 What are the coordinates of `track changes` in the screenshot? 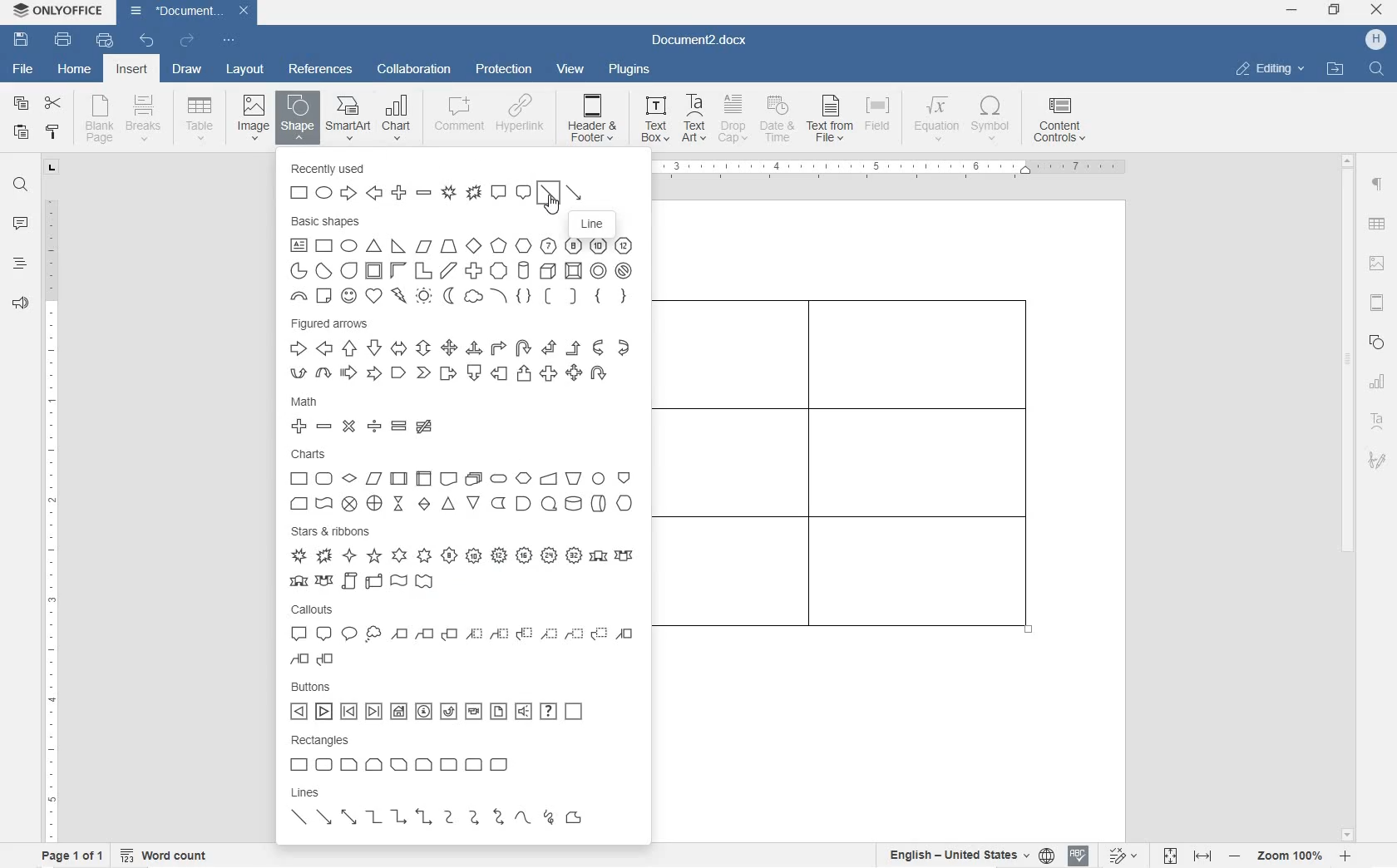 It's located at (1127, 856).